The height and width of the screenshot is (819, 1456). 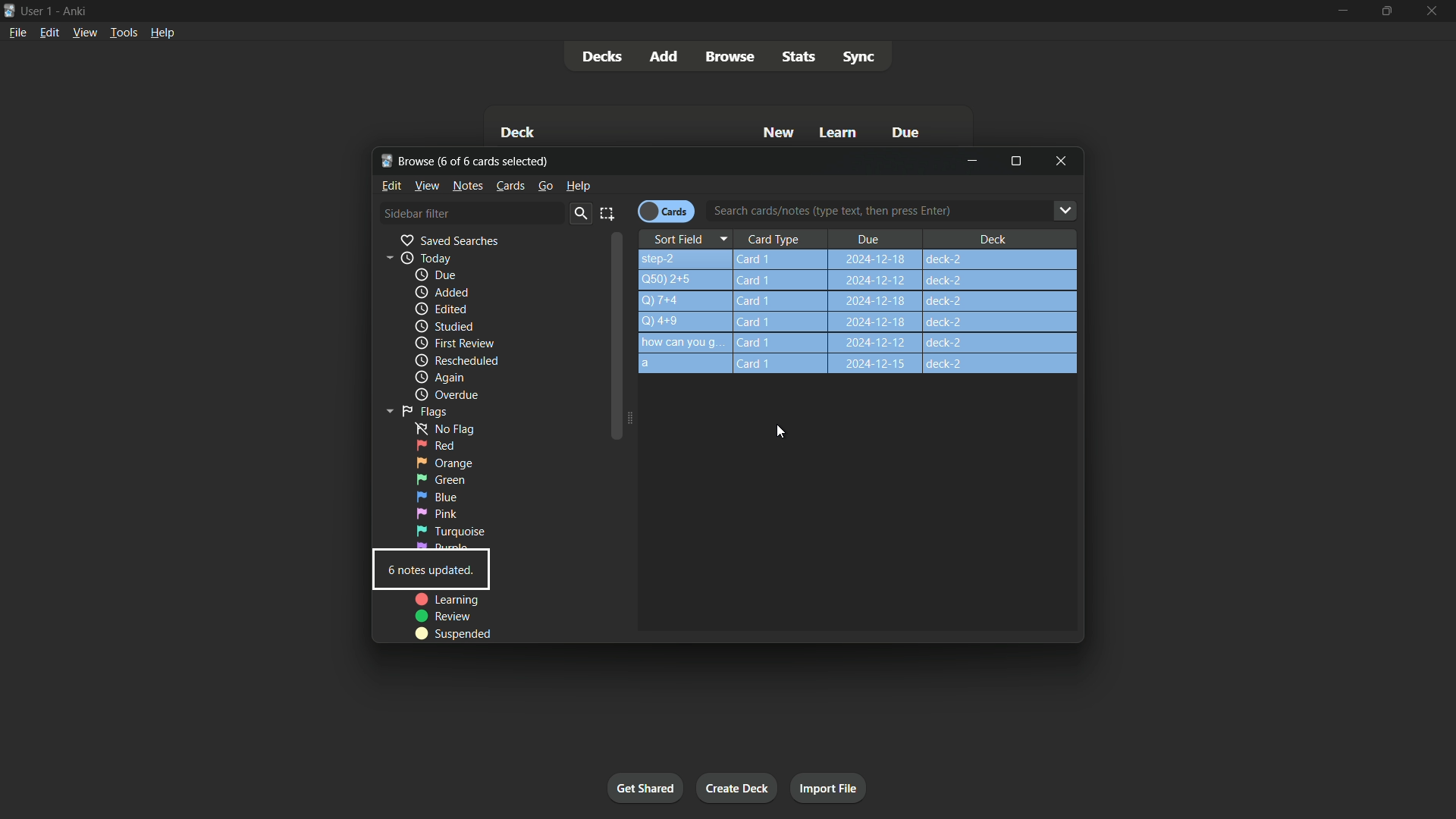 What do you see at coordinates (579, 214) in the screenshot?
I see `Search` at bounding box center [579, 214].